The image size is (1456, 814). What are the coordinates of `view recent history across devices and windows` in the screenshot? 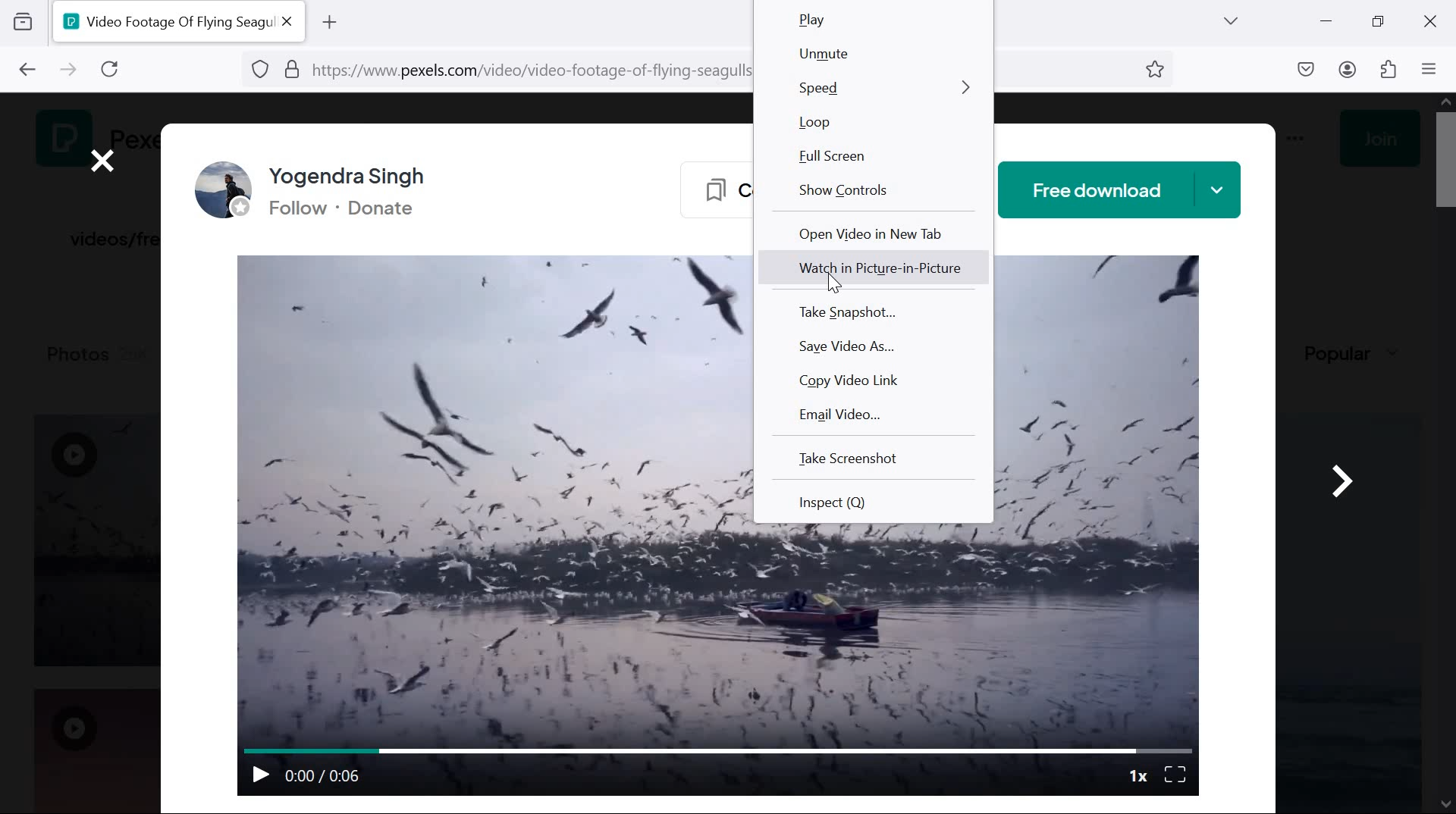 It's located at (23, 20).